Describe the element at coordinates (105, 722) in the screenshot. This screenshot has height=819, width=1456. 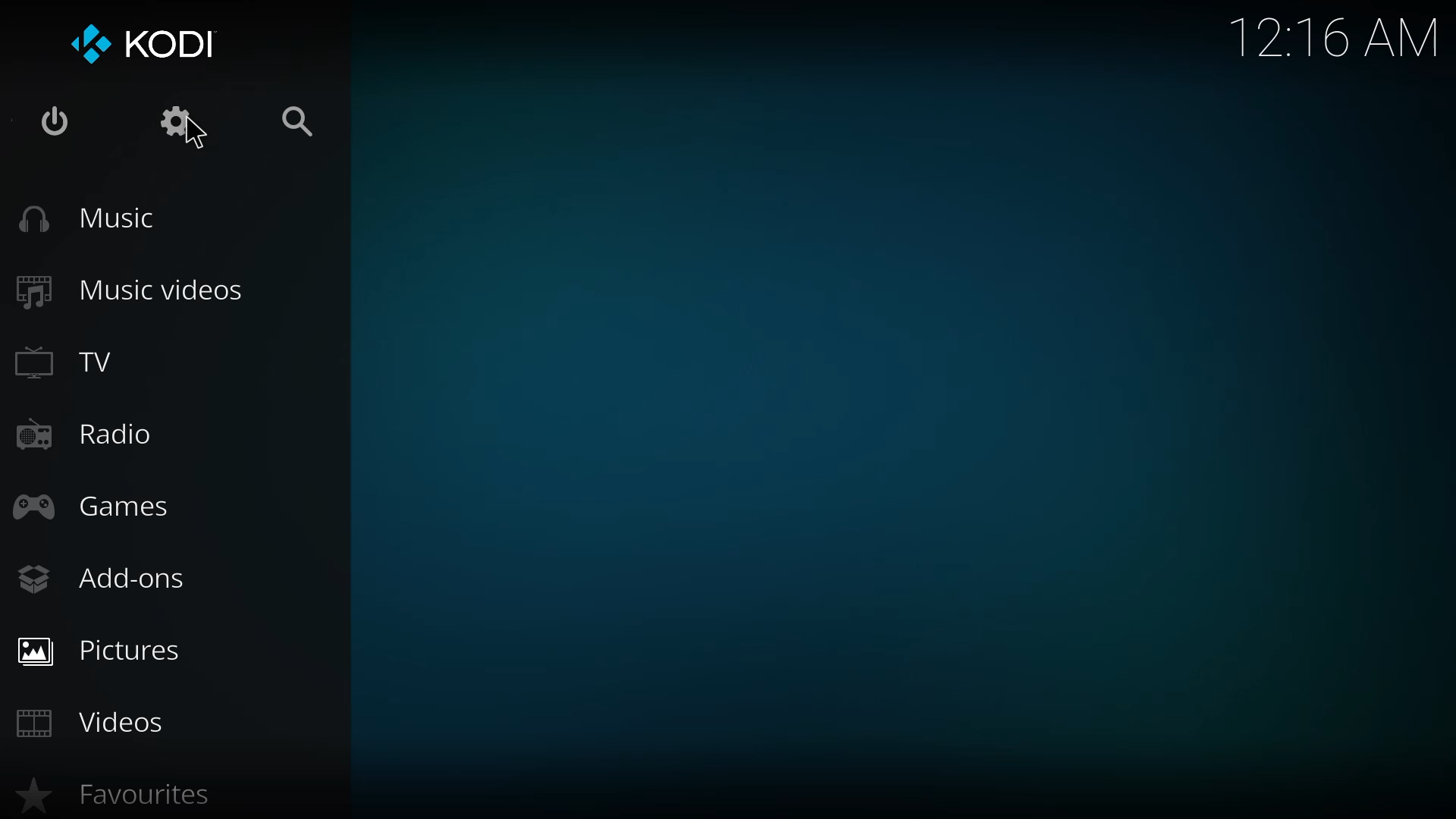
I see `videos` at that location.